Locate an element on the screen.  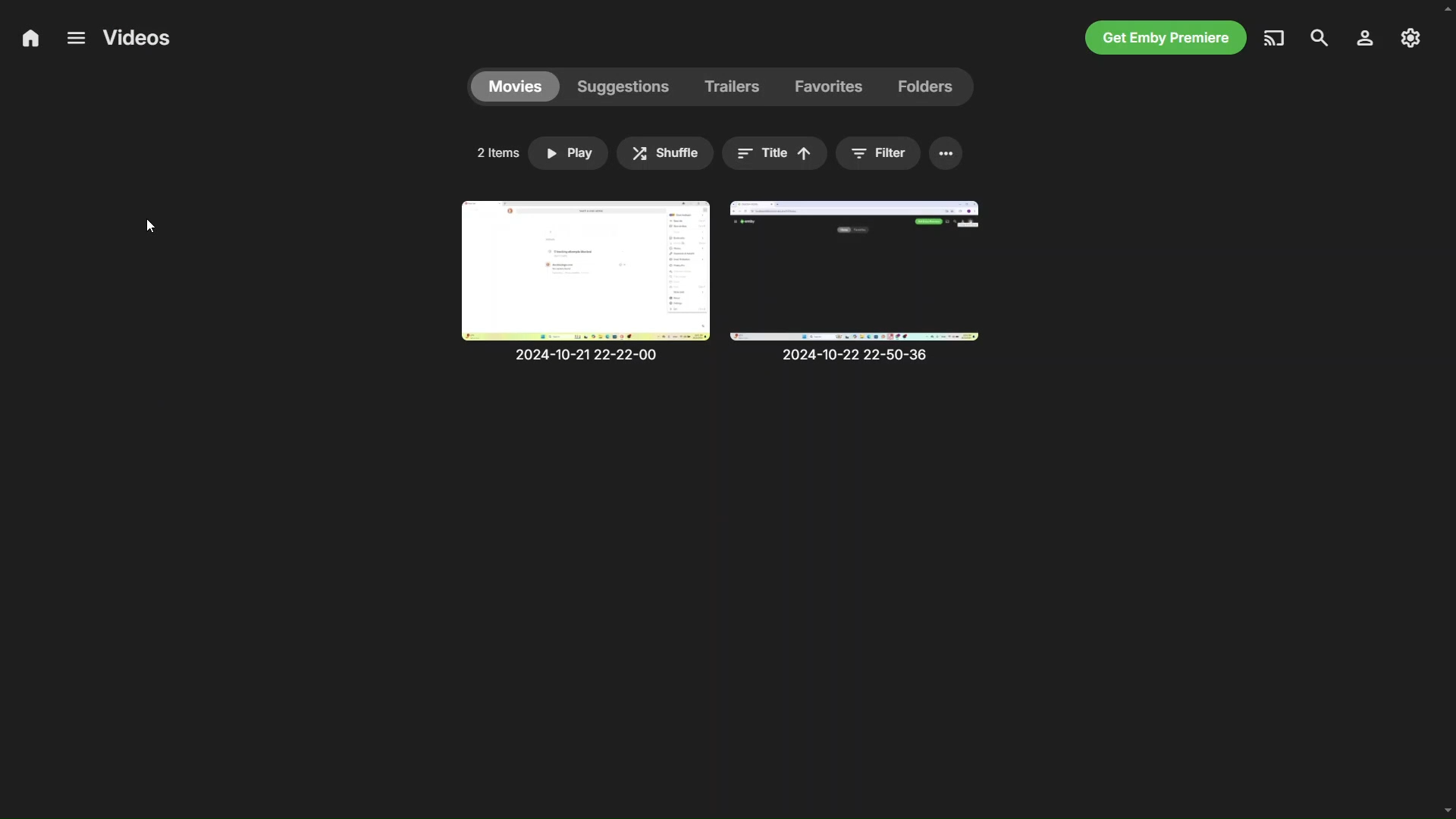
shuffle is located at coordinates (665, 154).